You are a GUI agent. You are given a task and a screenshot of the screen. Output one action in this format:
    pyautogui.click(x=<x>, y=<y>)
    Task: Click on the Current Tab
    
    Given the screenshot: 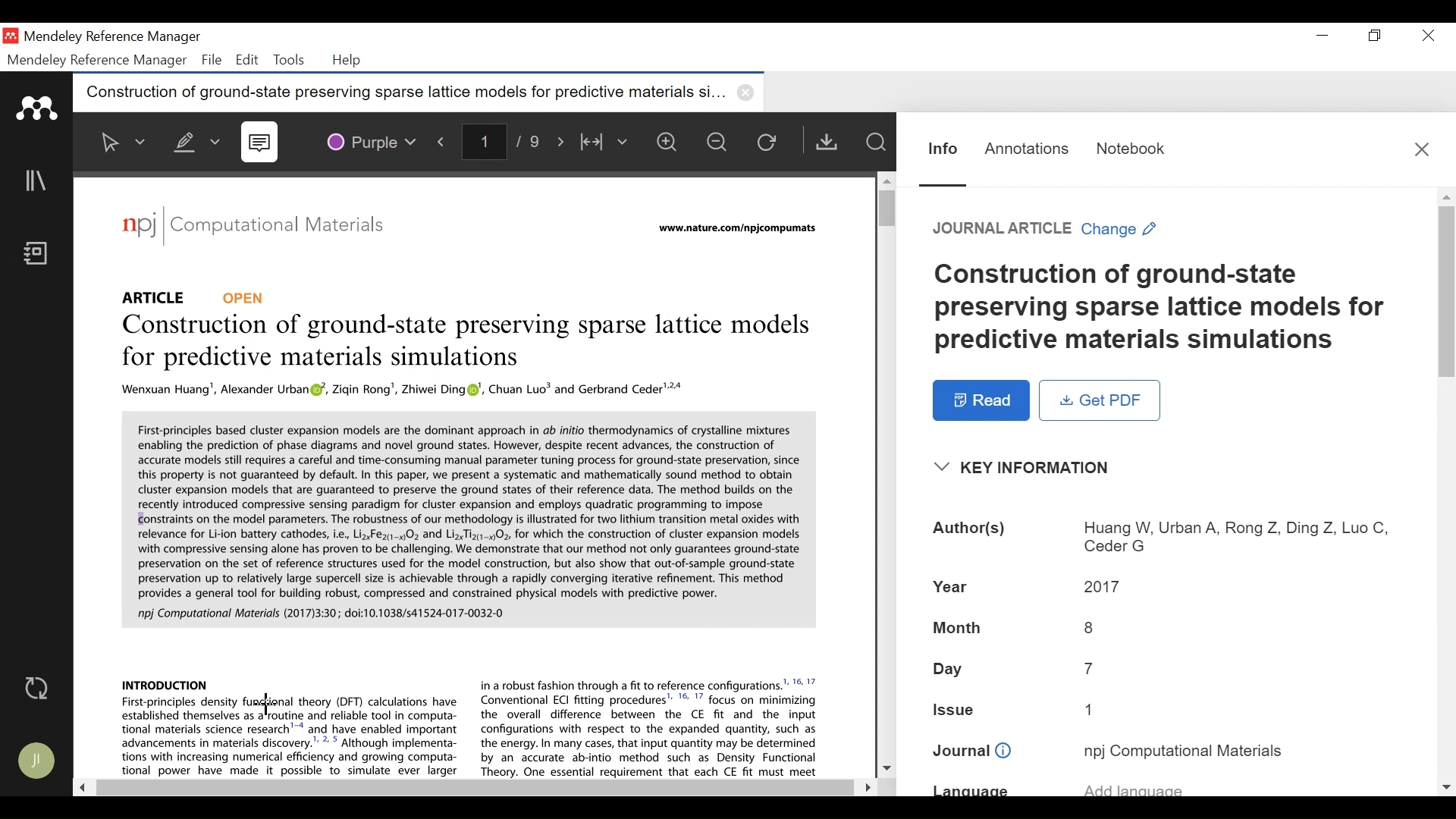 What is the action you would take?
    pyautogui.click(x=419, y=93)
    